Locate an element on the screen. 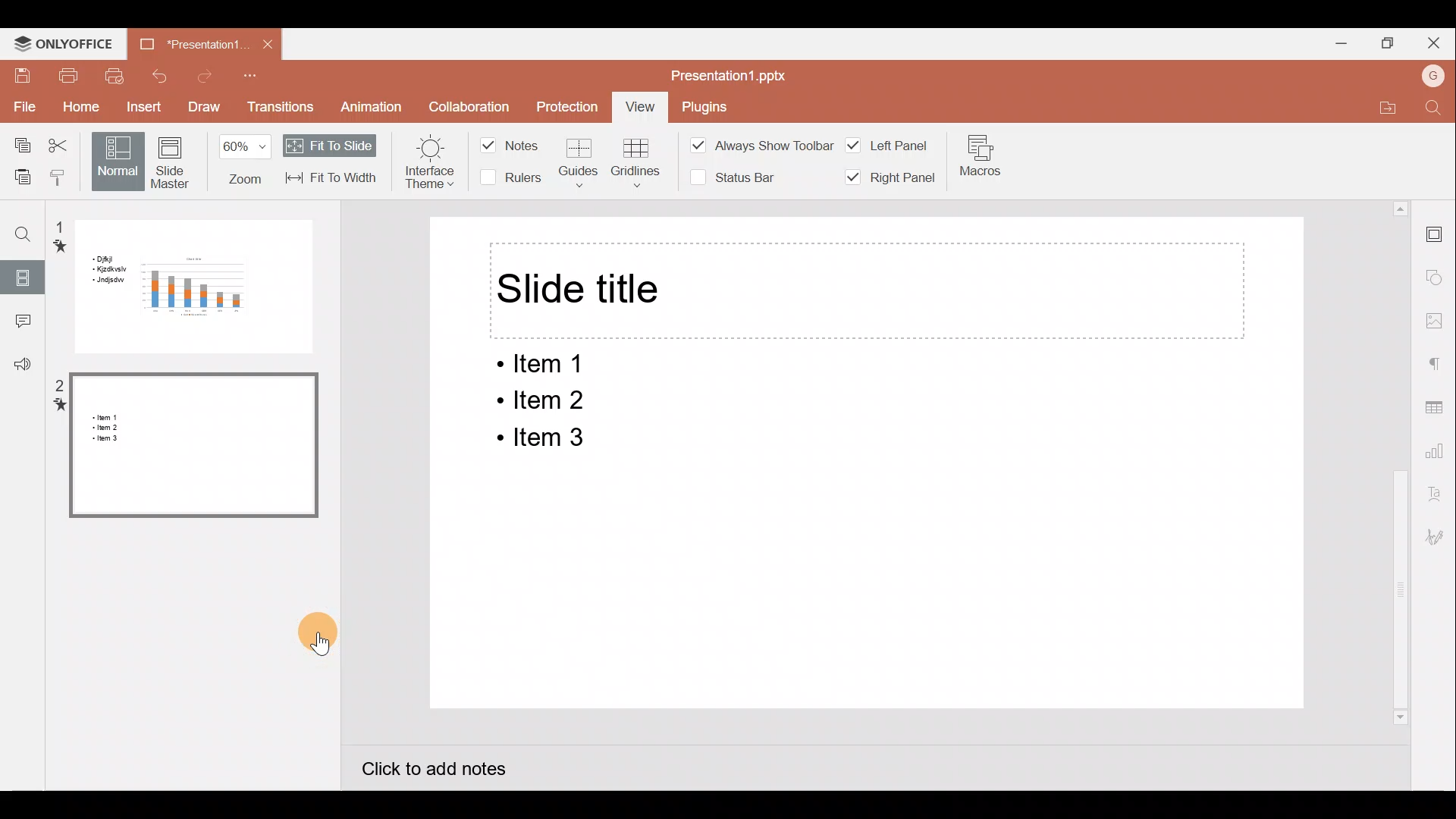 This screenshot has height=819, width=1456. Status bar is located at coordinates (741, 175).